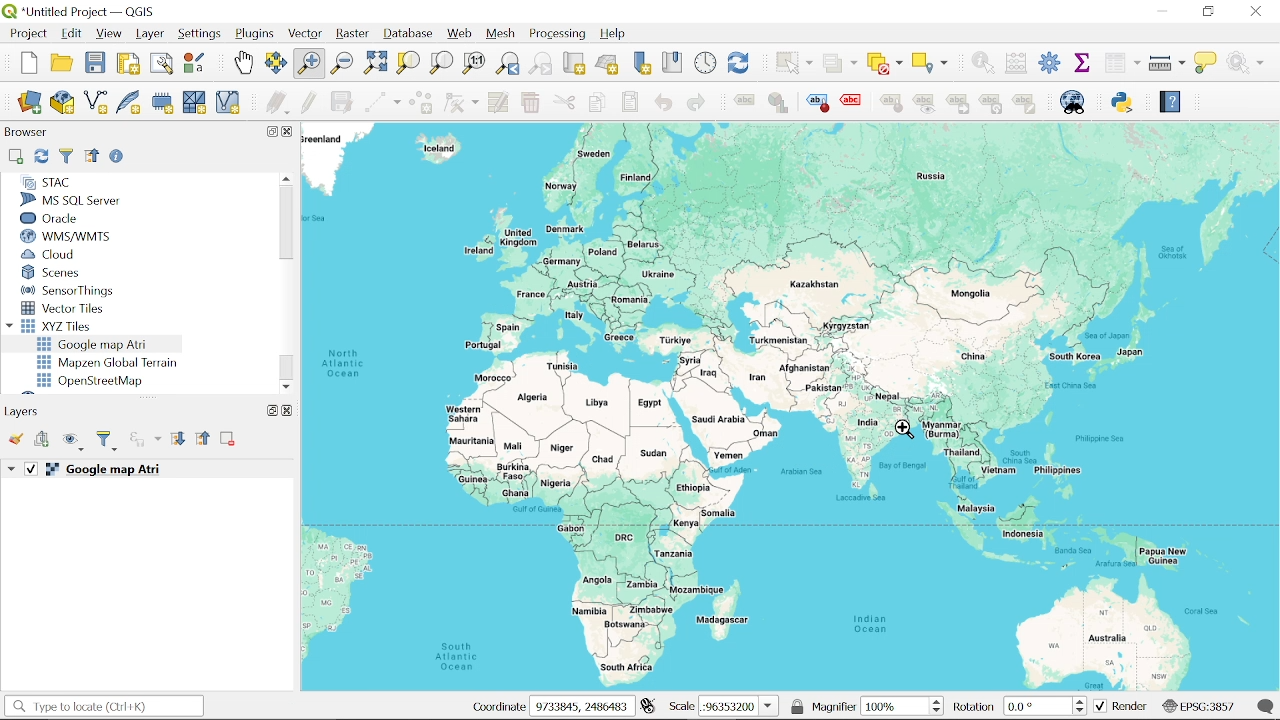  Describe the element at coordinates (1267, 706) in the screenshot. I see `Comment` at that location.